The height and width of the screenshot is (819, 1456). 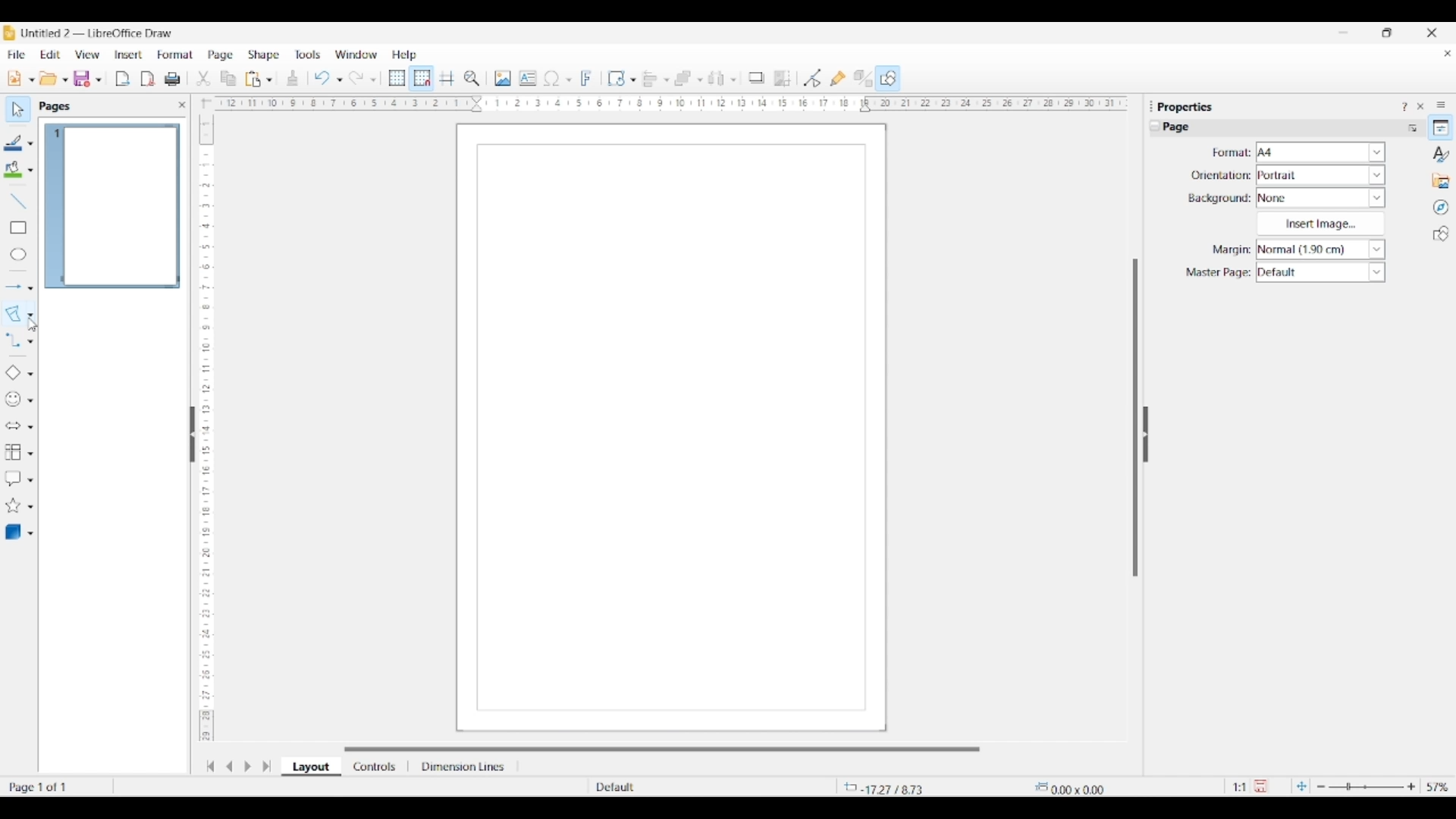 What do you see at coordinates (10, 373) in the screenshot?
I see `Selected basic shape` at bounding box center [10, 373].